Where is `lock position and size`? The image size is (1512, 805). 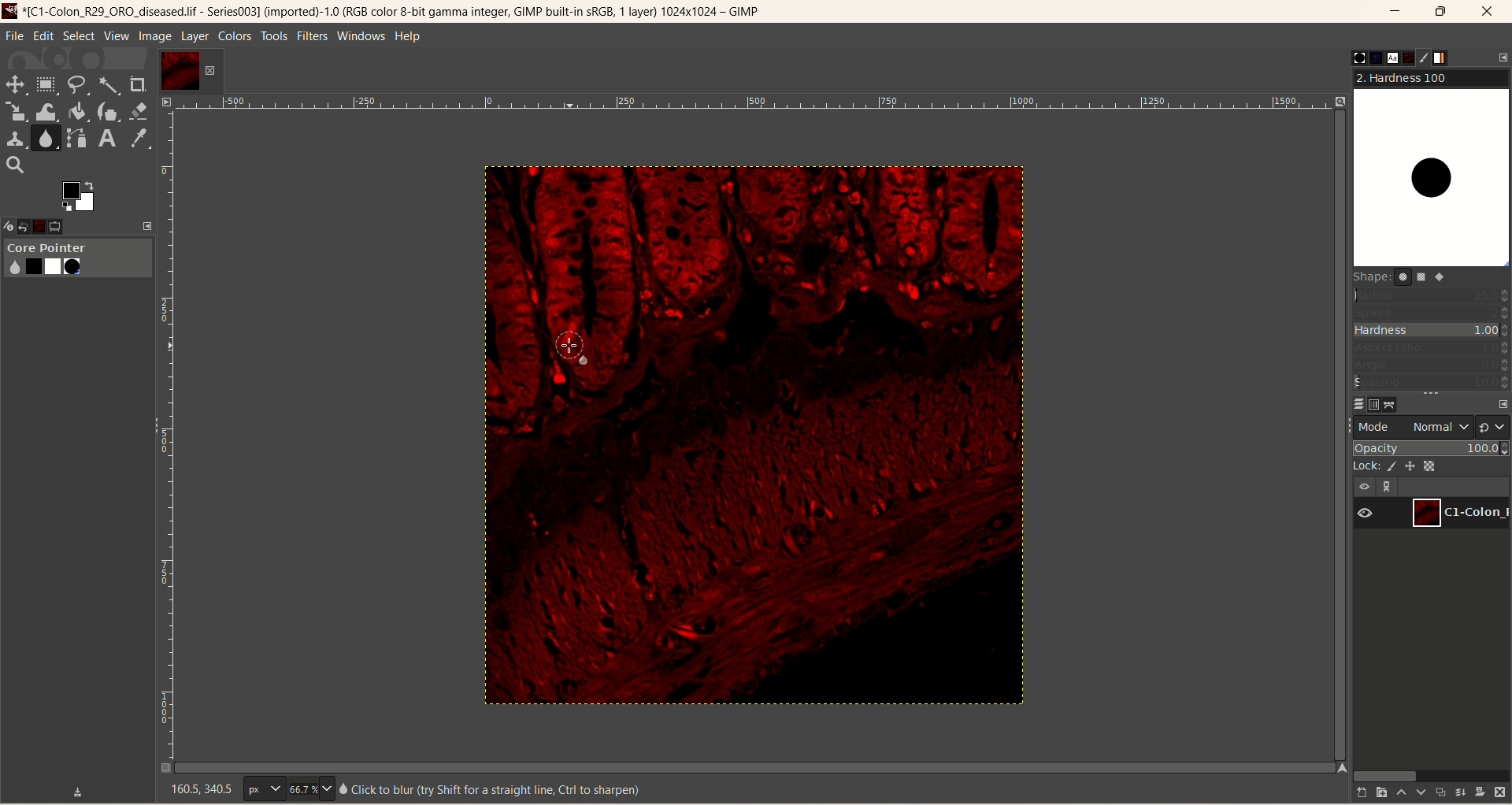
lock position and size is located at coordinates (1416, 465).